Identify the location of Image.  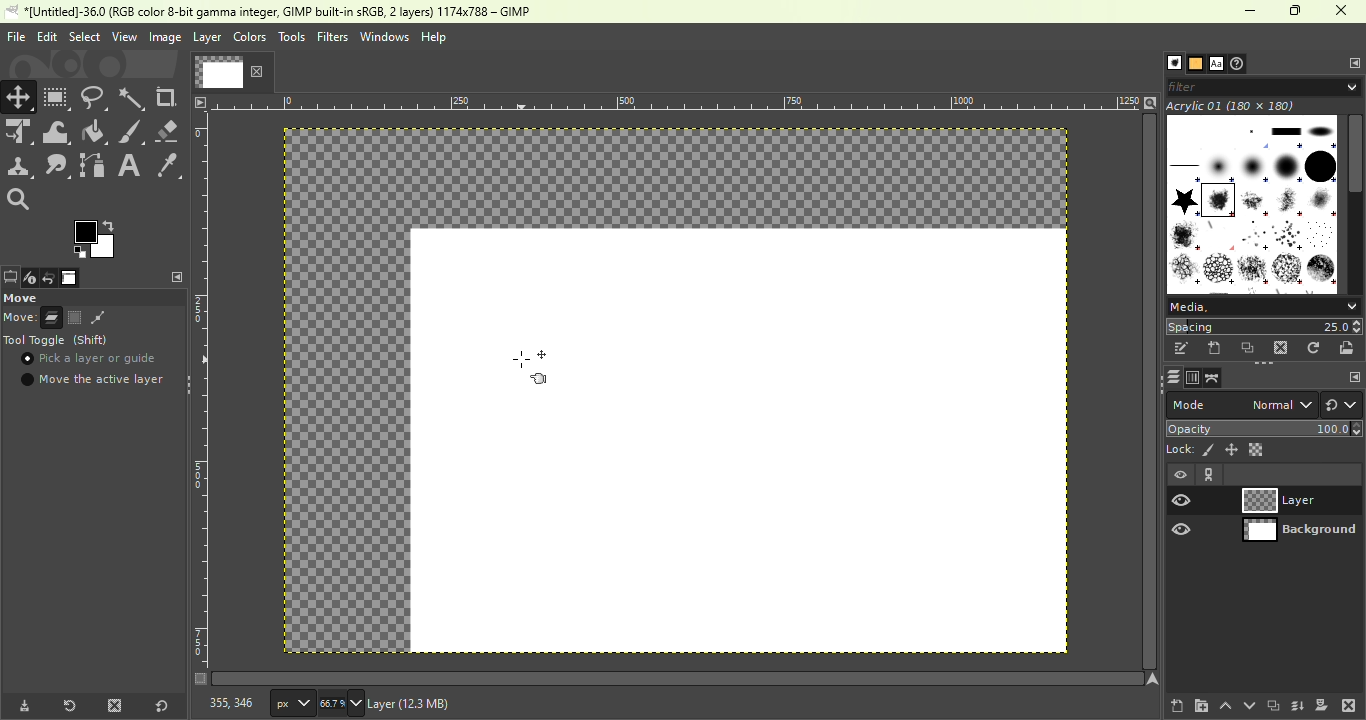
(163, 37).